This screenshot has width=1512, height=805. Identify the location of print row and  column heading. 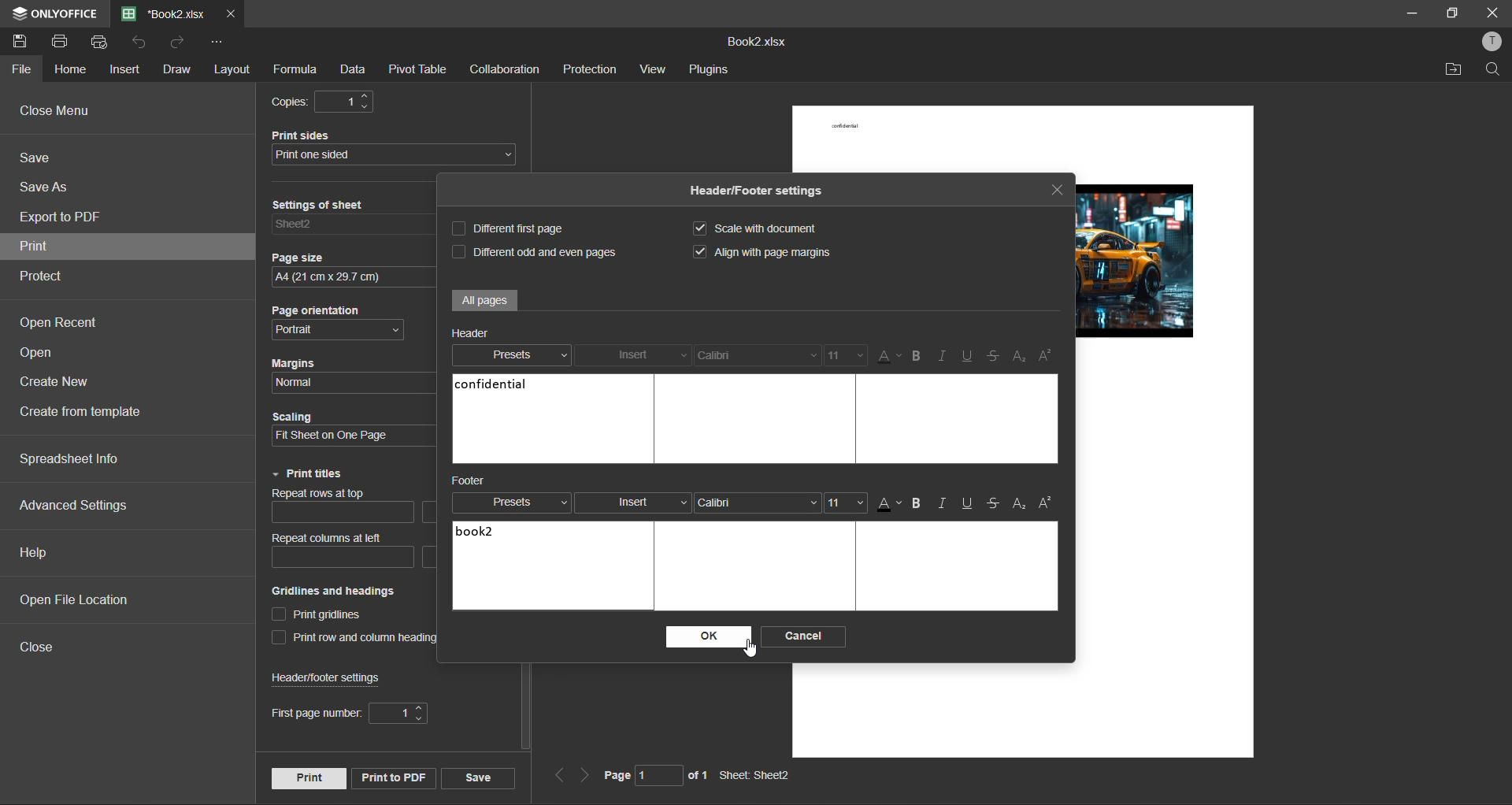
(353, 638).